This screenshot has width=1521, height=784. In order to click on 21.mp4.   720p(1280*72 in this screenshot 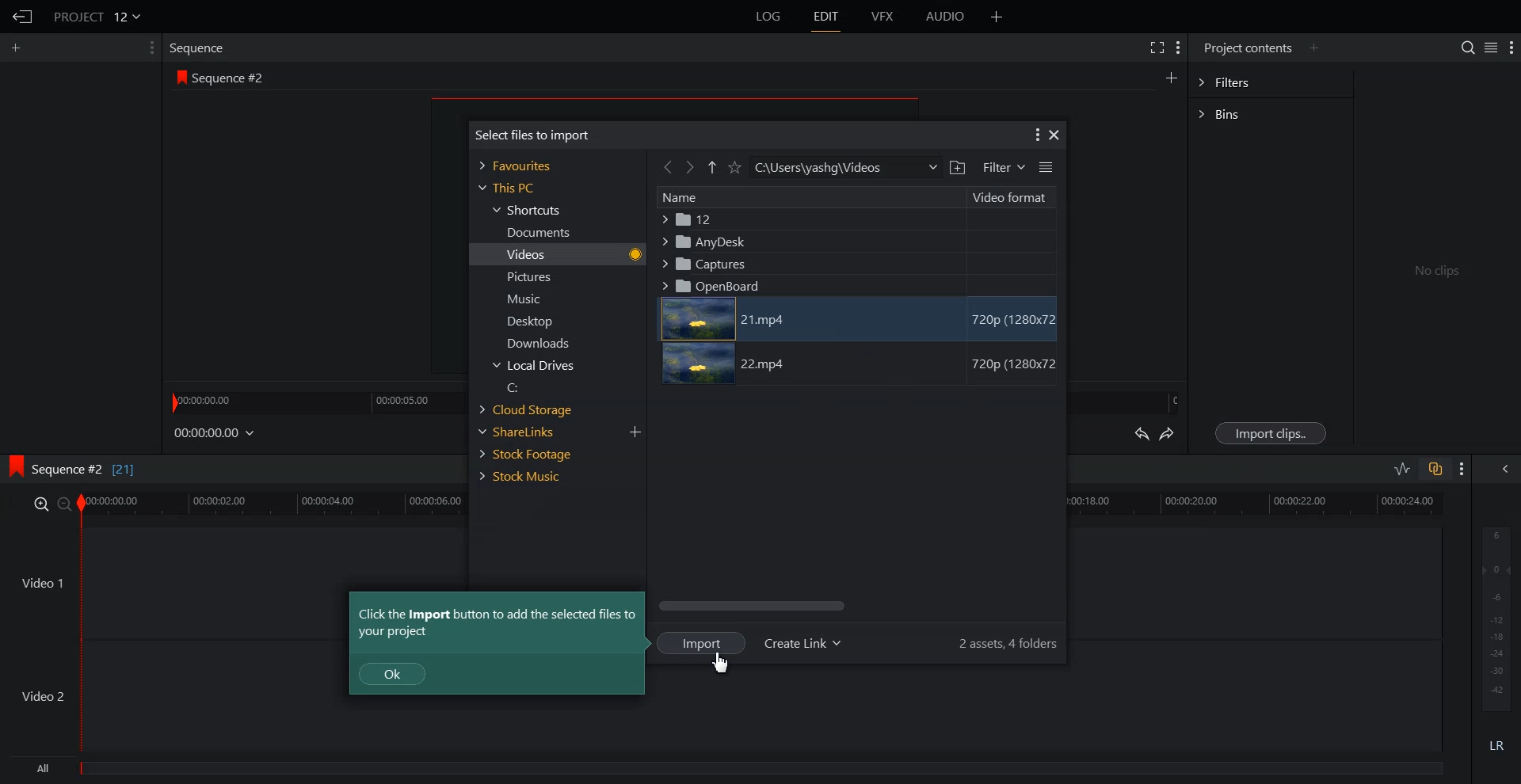, I will do `click(860, 318)`.